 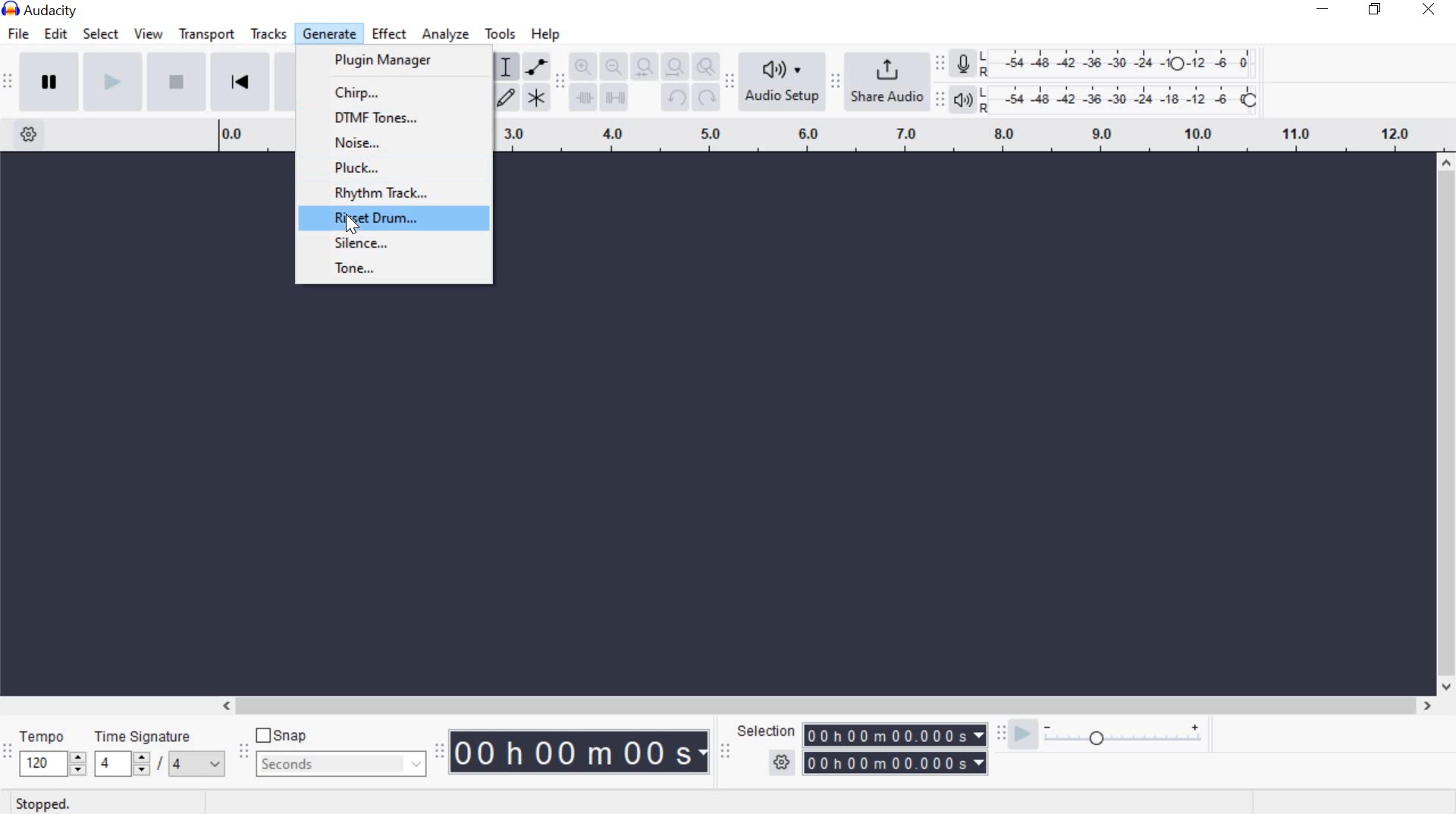 What do you see at coordinates (49, 80) in the screenshot?
I see `Pause` at bounding box center [49, 80].